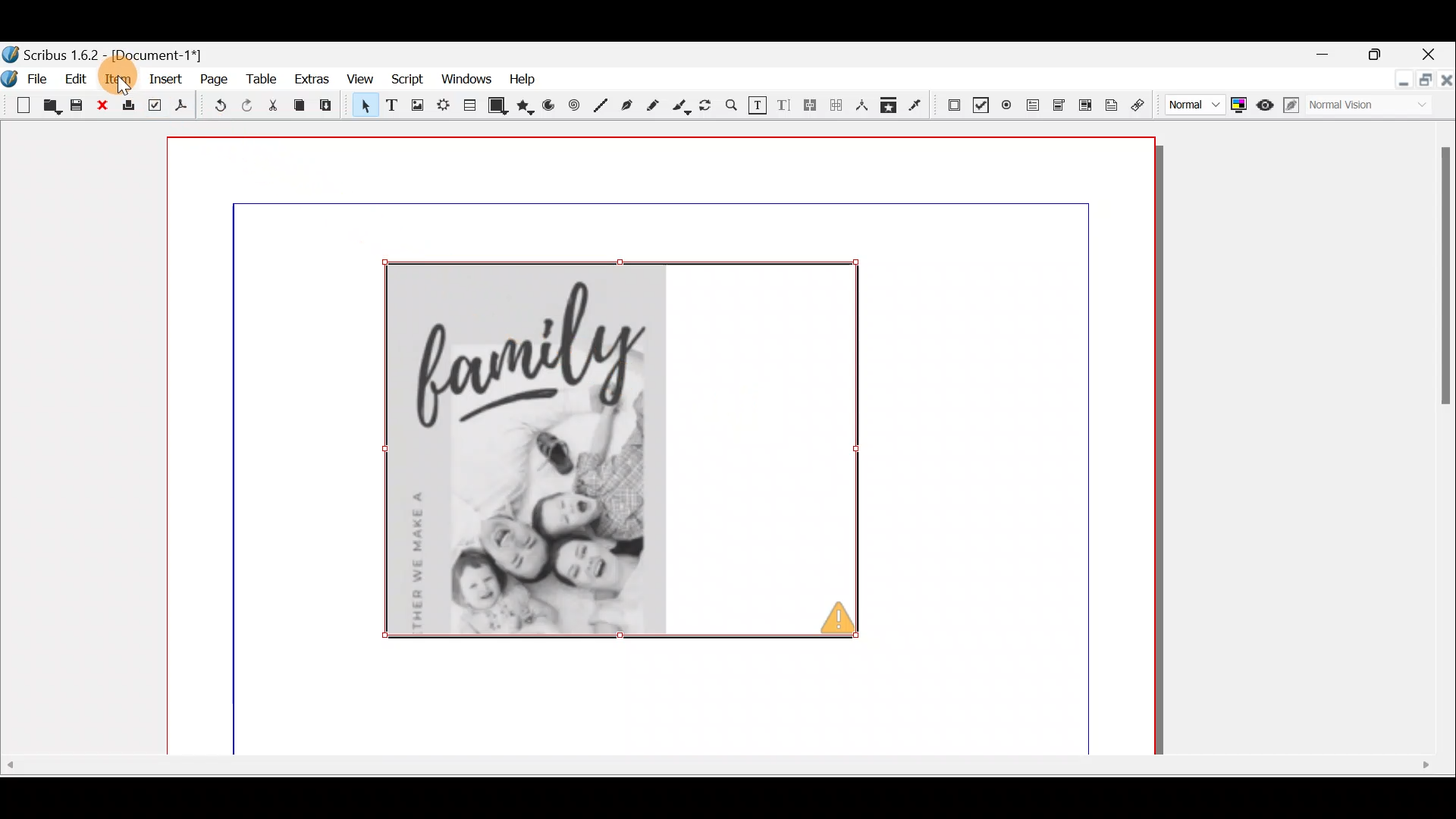  I want to click on Extras, so click(310, 80).